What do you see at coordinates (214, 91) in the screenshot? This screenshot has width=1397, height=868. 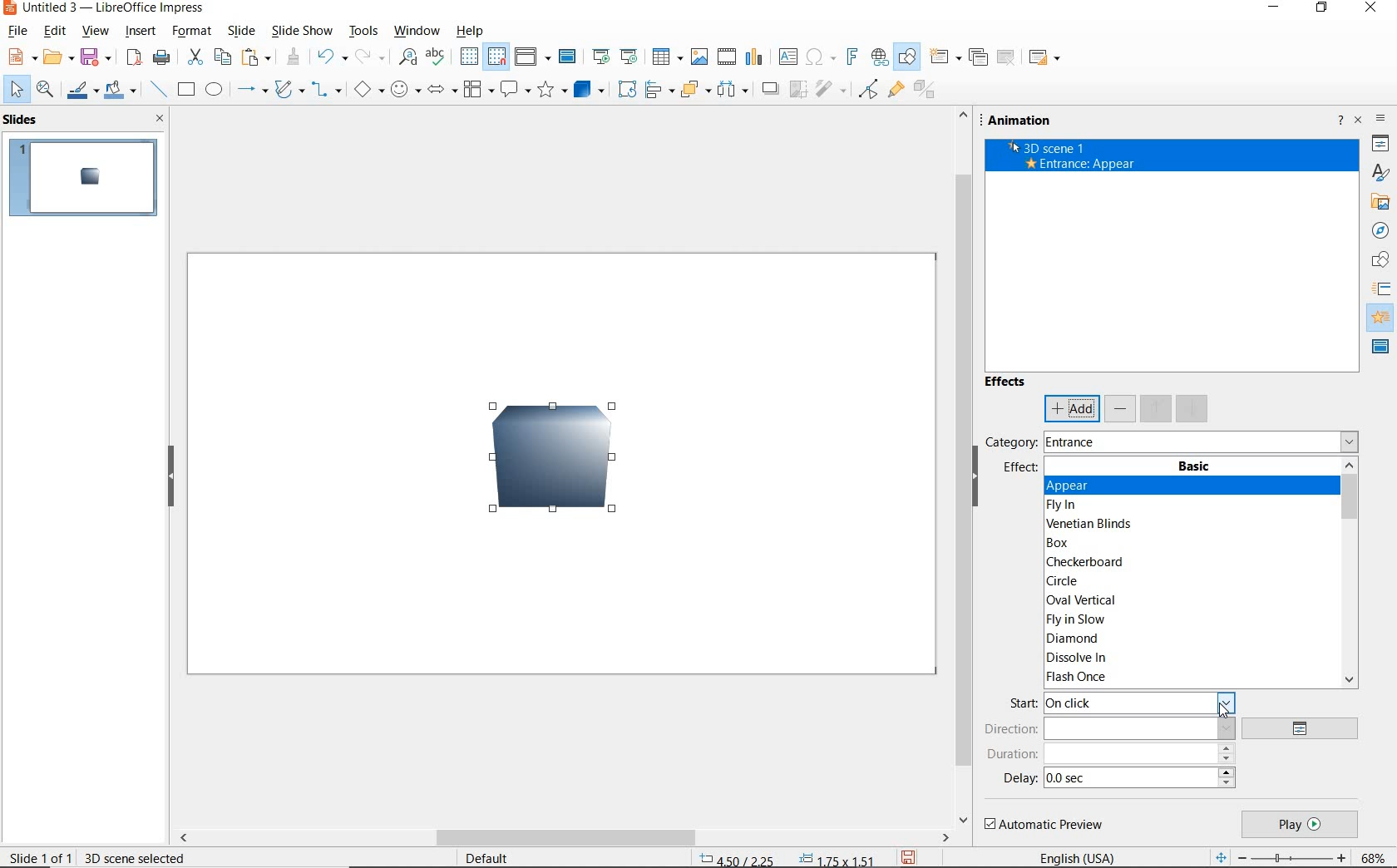 I see `ellipse` at bounding box center [214, 91].